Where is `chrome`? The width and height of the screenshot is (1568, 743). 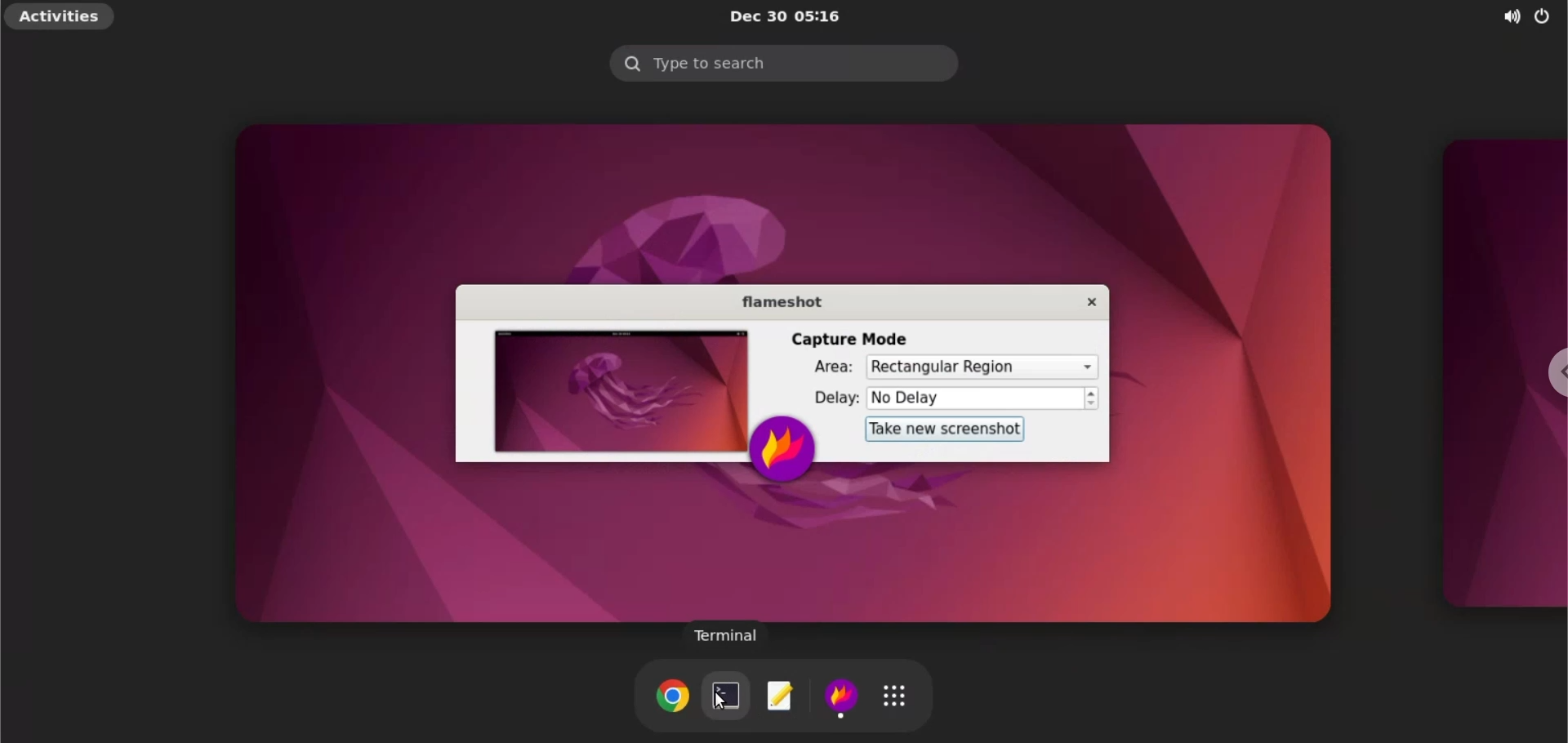 chrome is located at coordinates (670, 696).